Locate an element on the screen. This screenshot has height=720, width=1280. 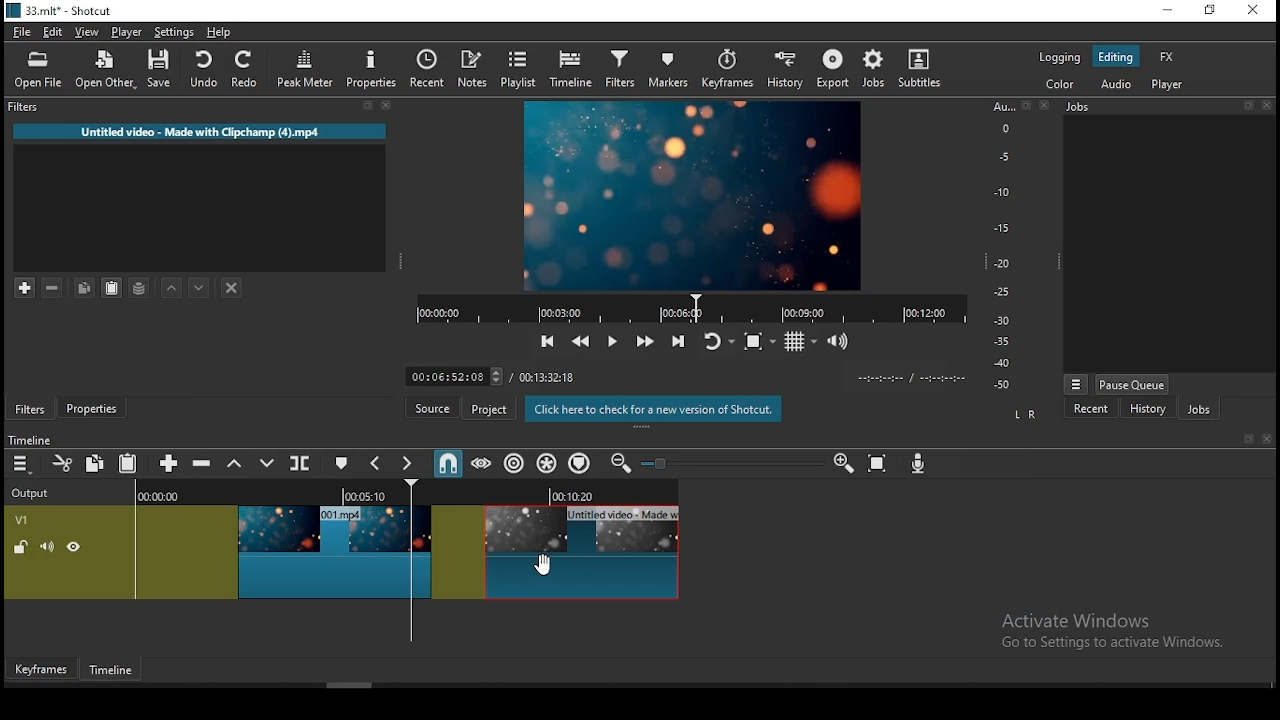
toggle player looping is located at coordinates (717, 342).